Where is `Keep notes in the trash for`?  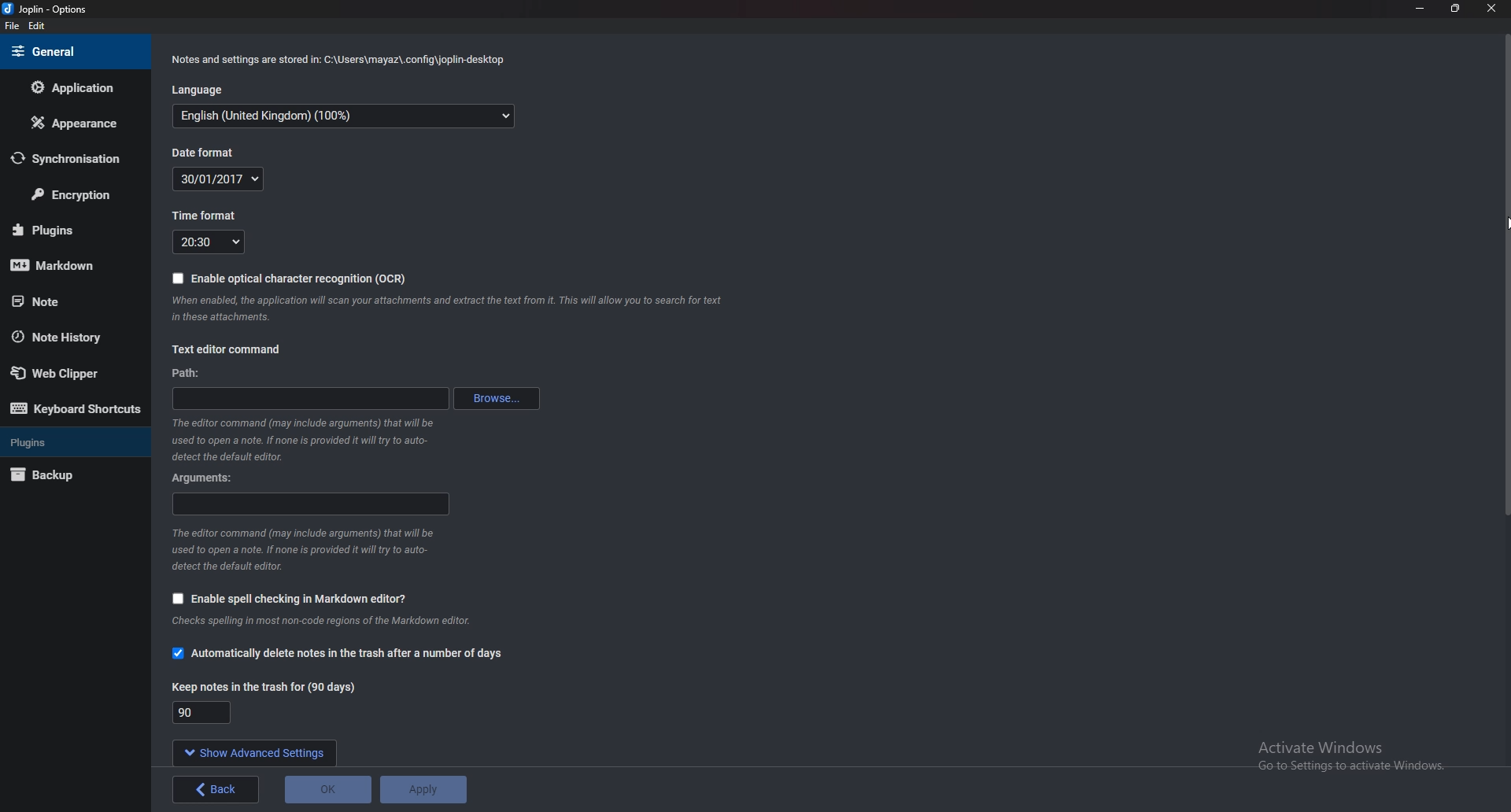
Keep notes in the trash for is located at coordinates (275, 686).